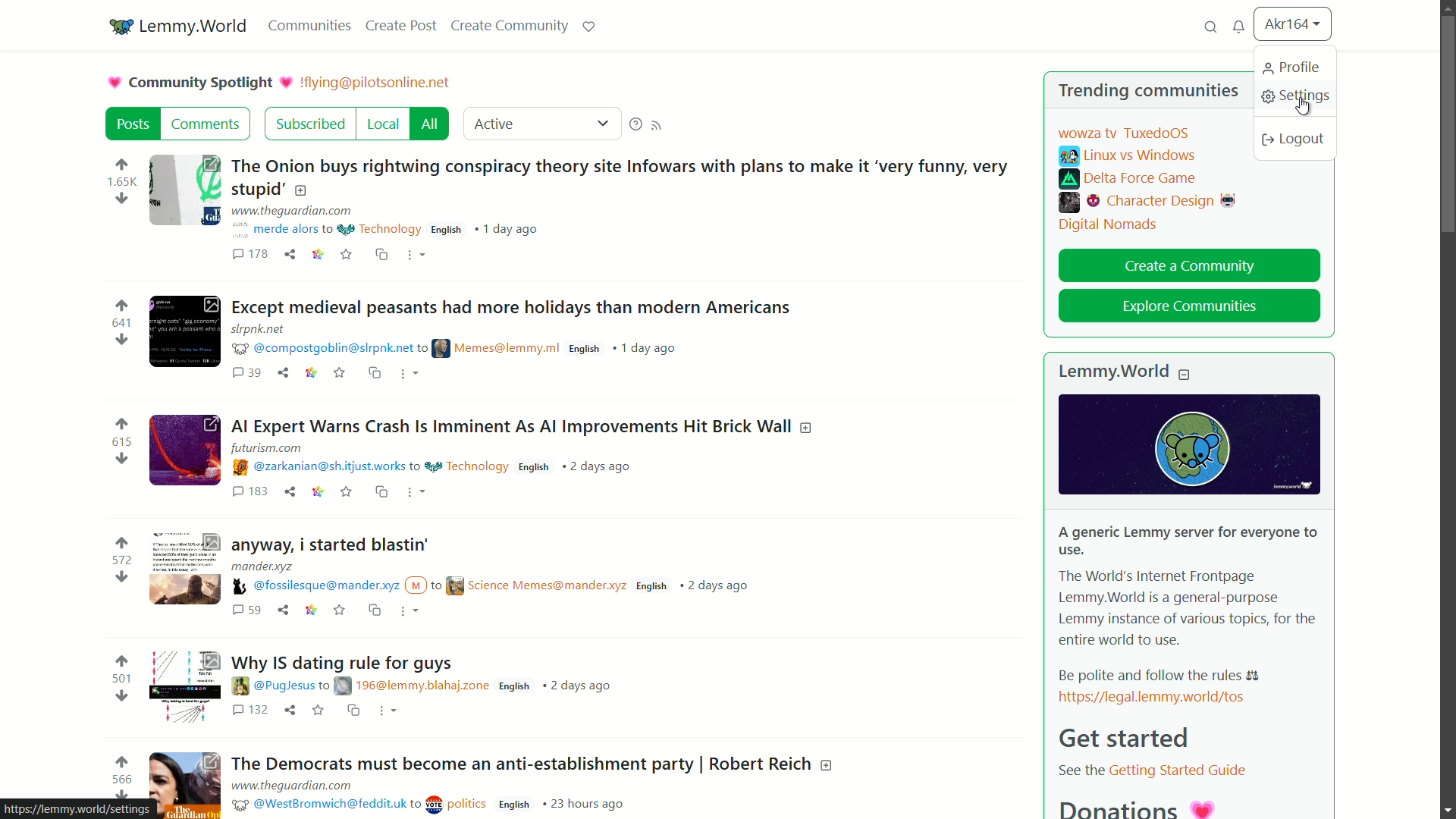 Image resolution: width=1456 pixels, height=819 pixels. I want to click on comments, so click(249, 711).